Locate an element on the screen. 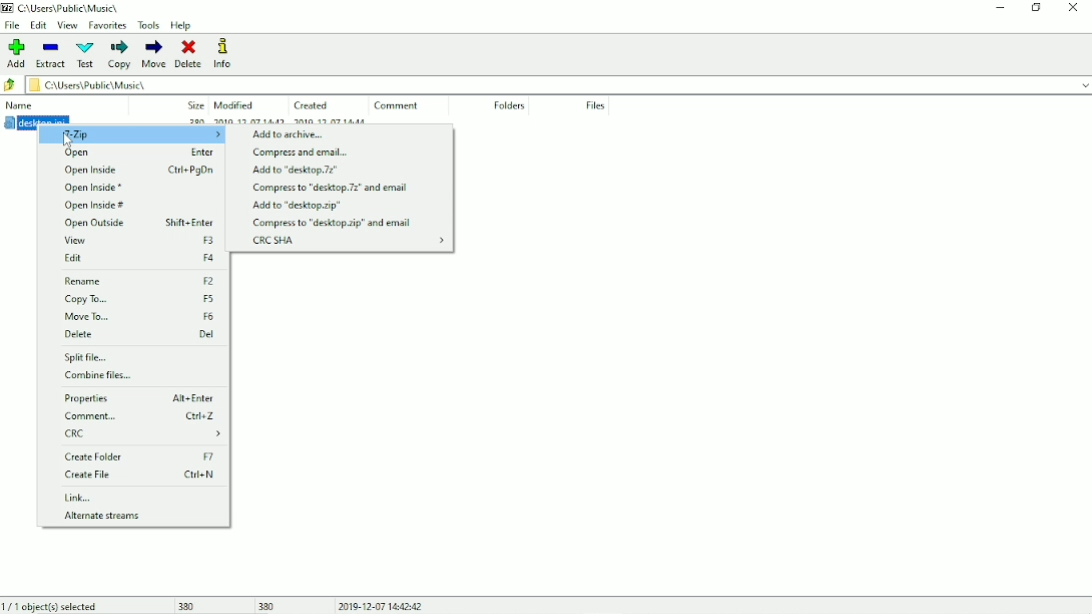 This screenshot has height=614, width=1092. Files is located at coordinates (596, 105).